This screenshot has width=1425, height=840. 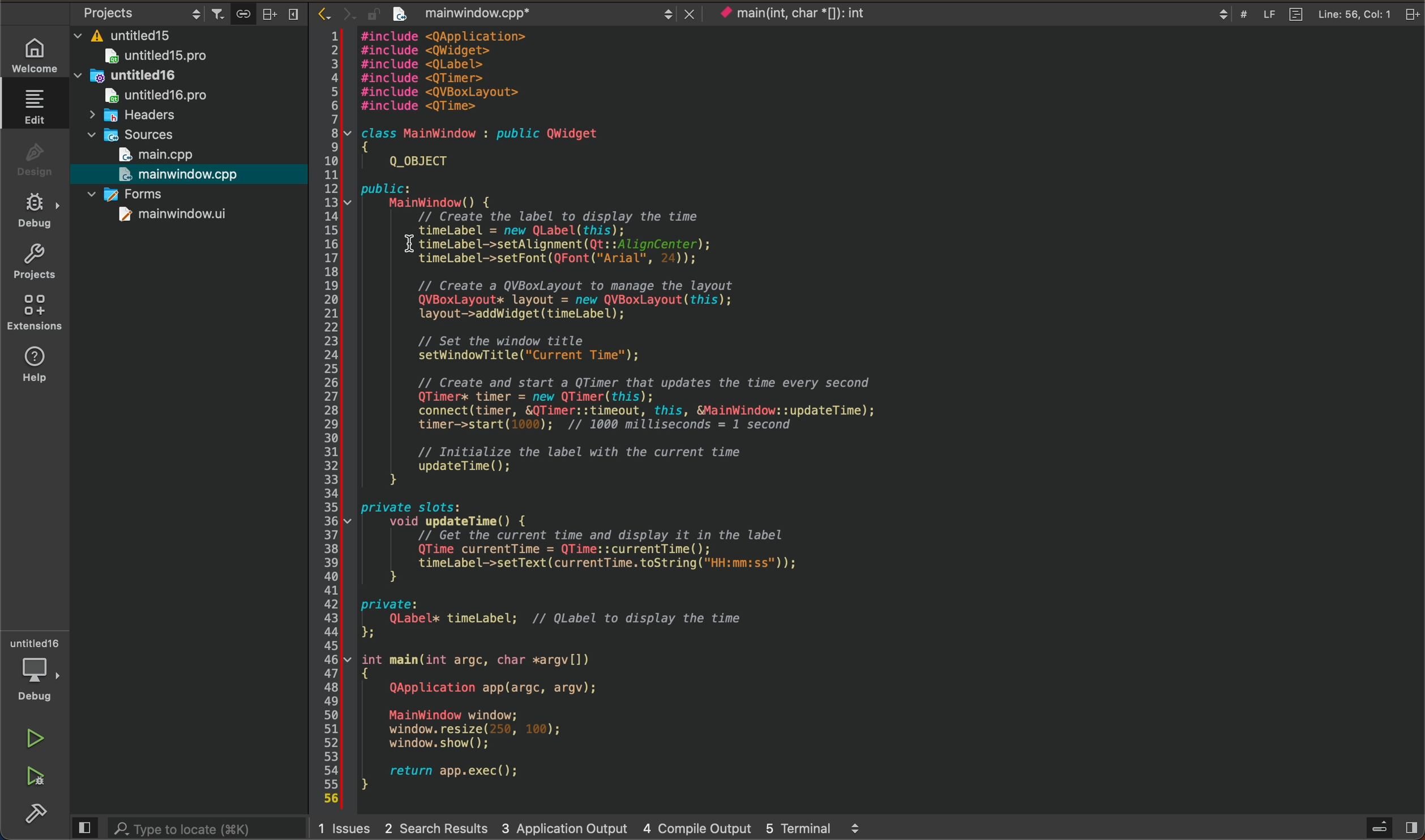 I want to click on Line: 15, Col: 1, so click(x=1345, y=14).